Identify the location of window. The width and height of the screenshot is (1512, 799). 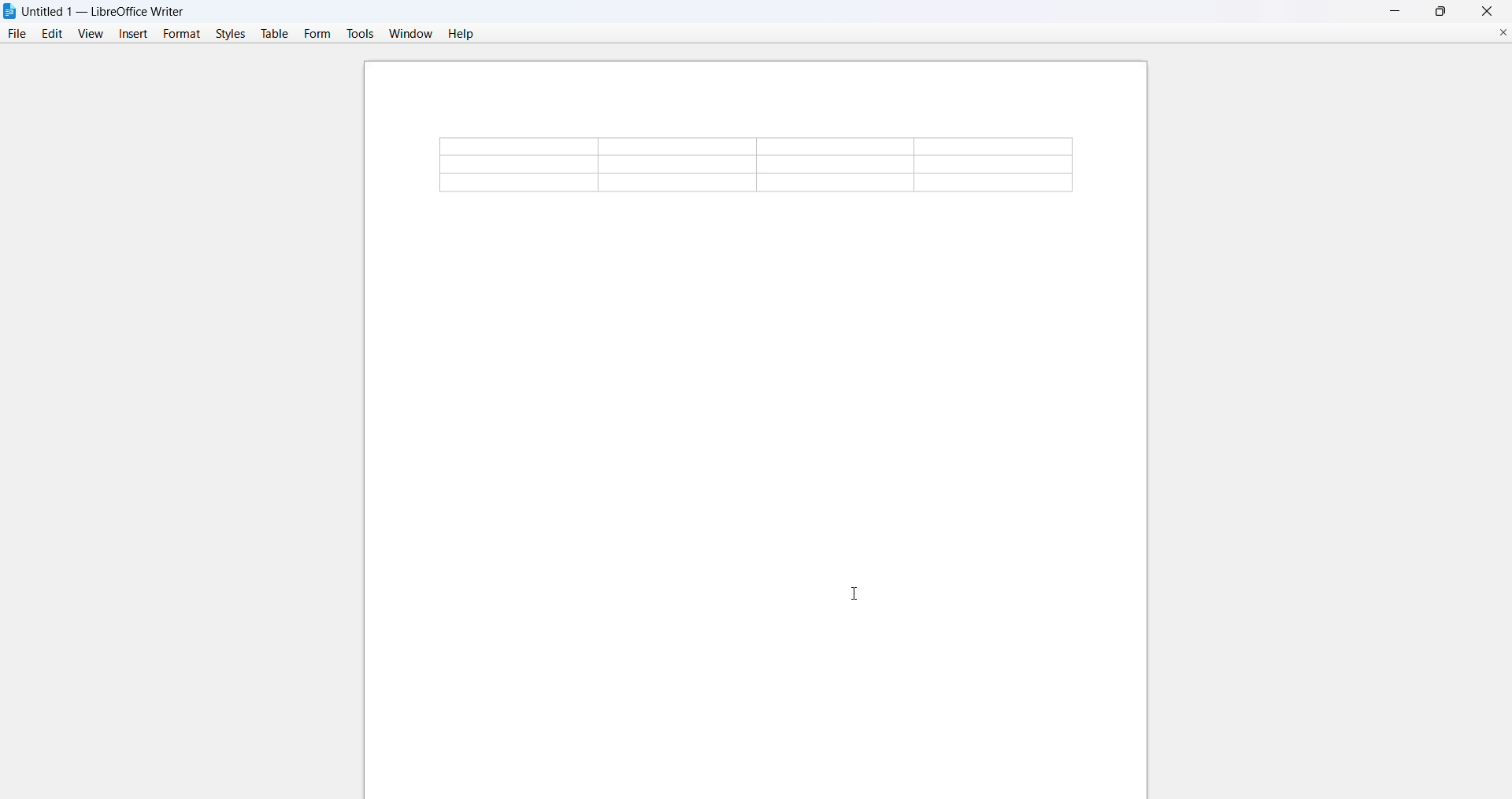
(408, 33).